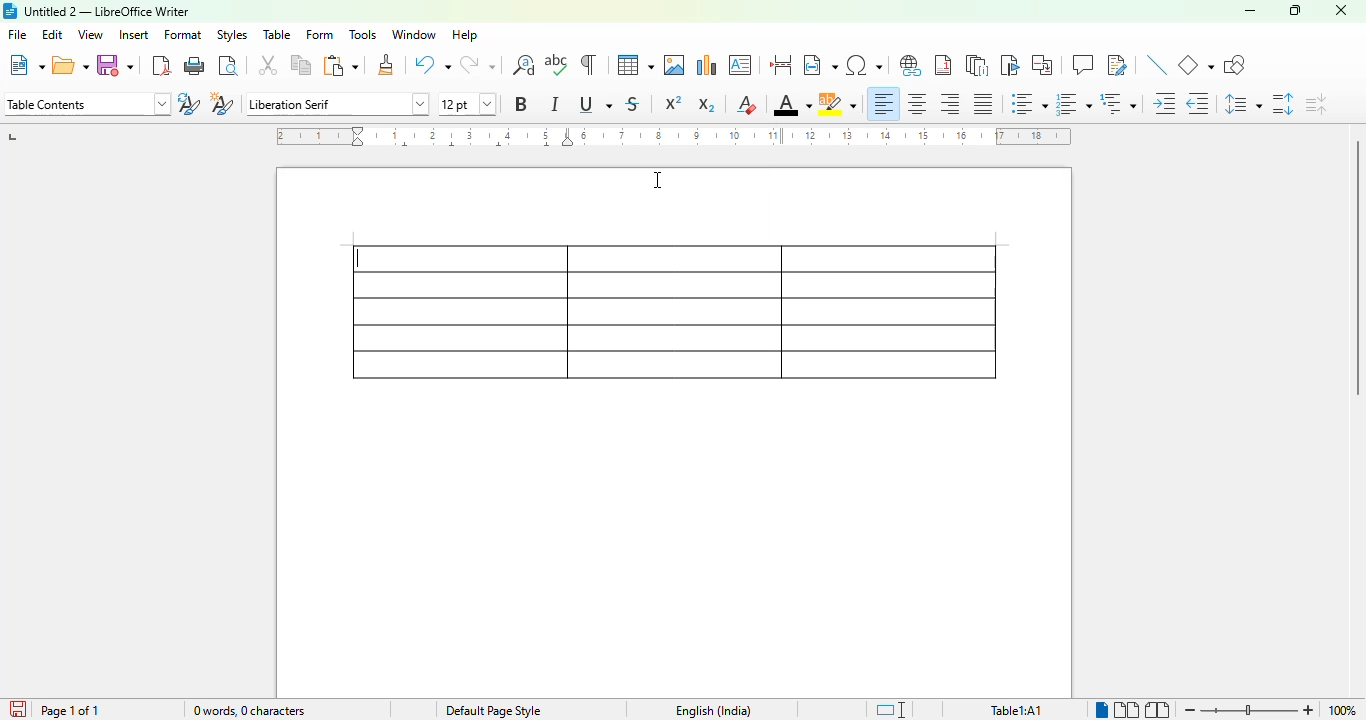  I want to click on increase indent, so click(1164, 103).